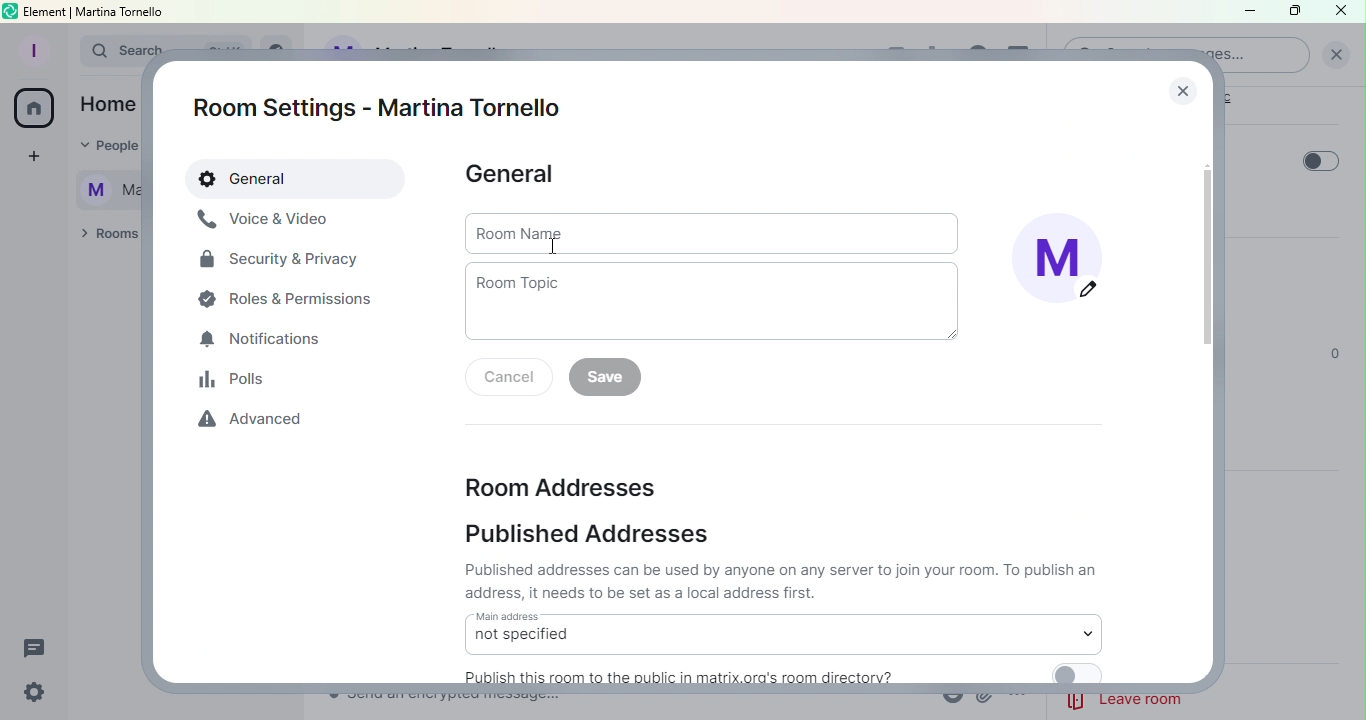 This screenshot has height=720, width=1366. I want to click on People, so click(102, 147).